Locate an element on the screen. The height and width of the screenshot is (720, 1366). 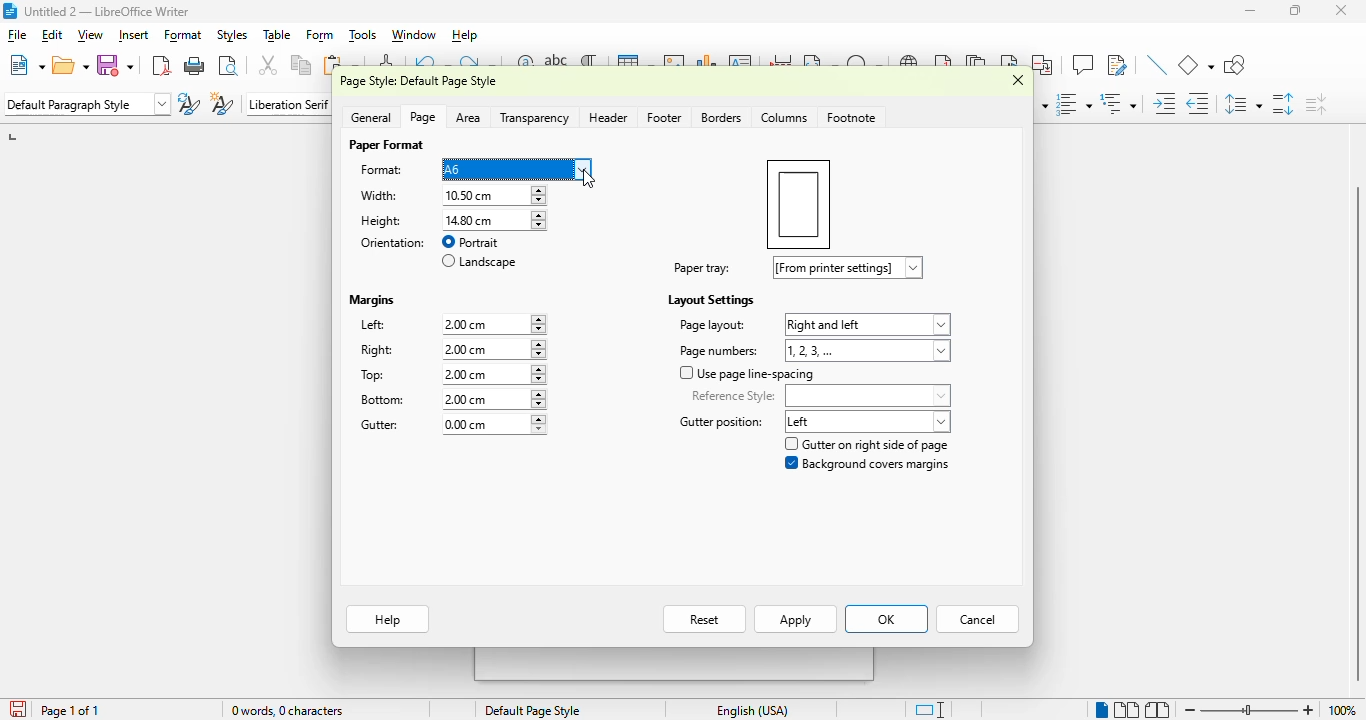
set line spacing is located at coordinates (1243, 103).